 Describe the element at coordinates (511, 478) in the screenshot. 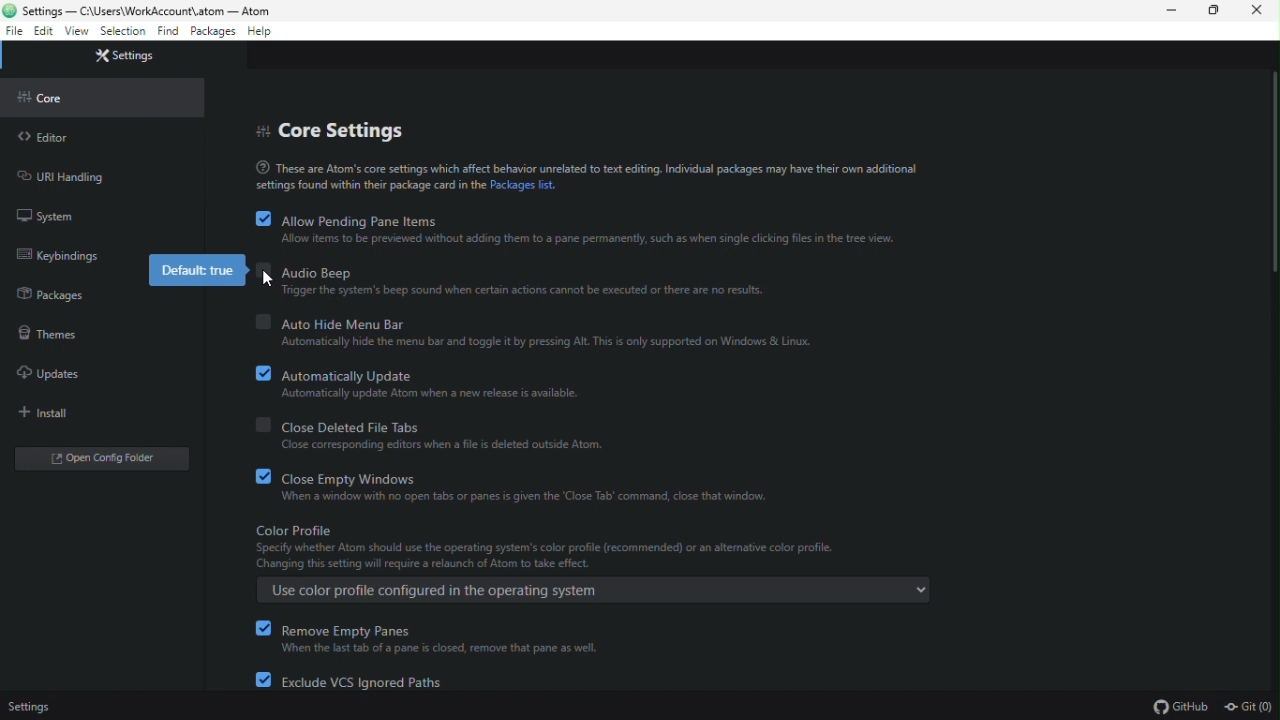

I see `close empty windows` at that location.